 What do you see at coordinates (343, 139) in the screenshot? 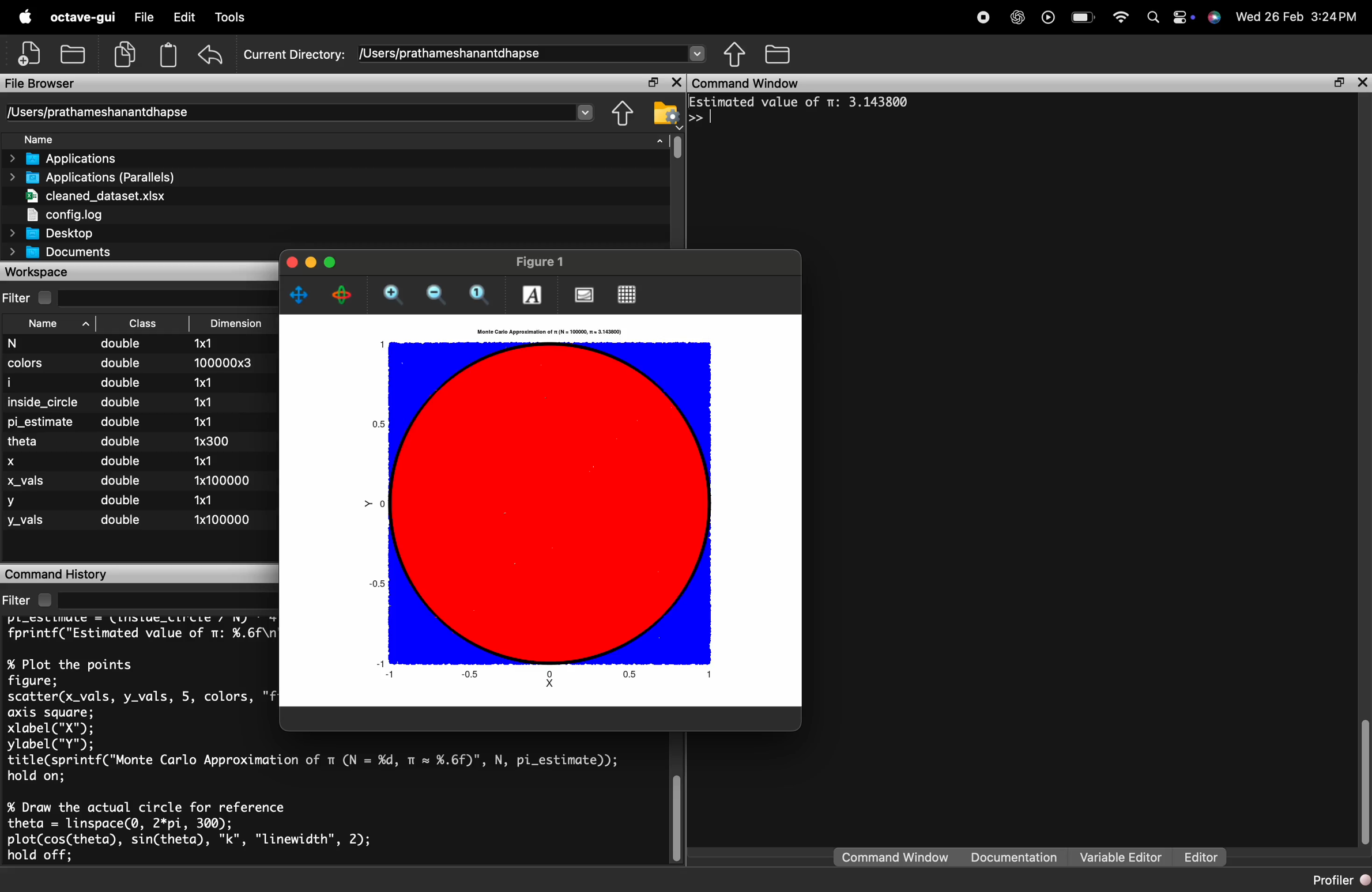
I see `Name` at bounding box center [343, 139].